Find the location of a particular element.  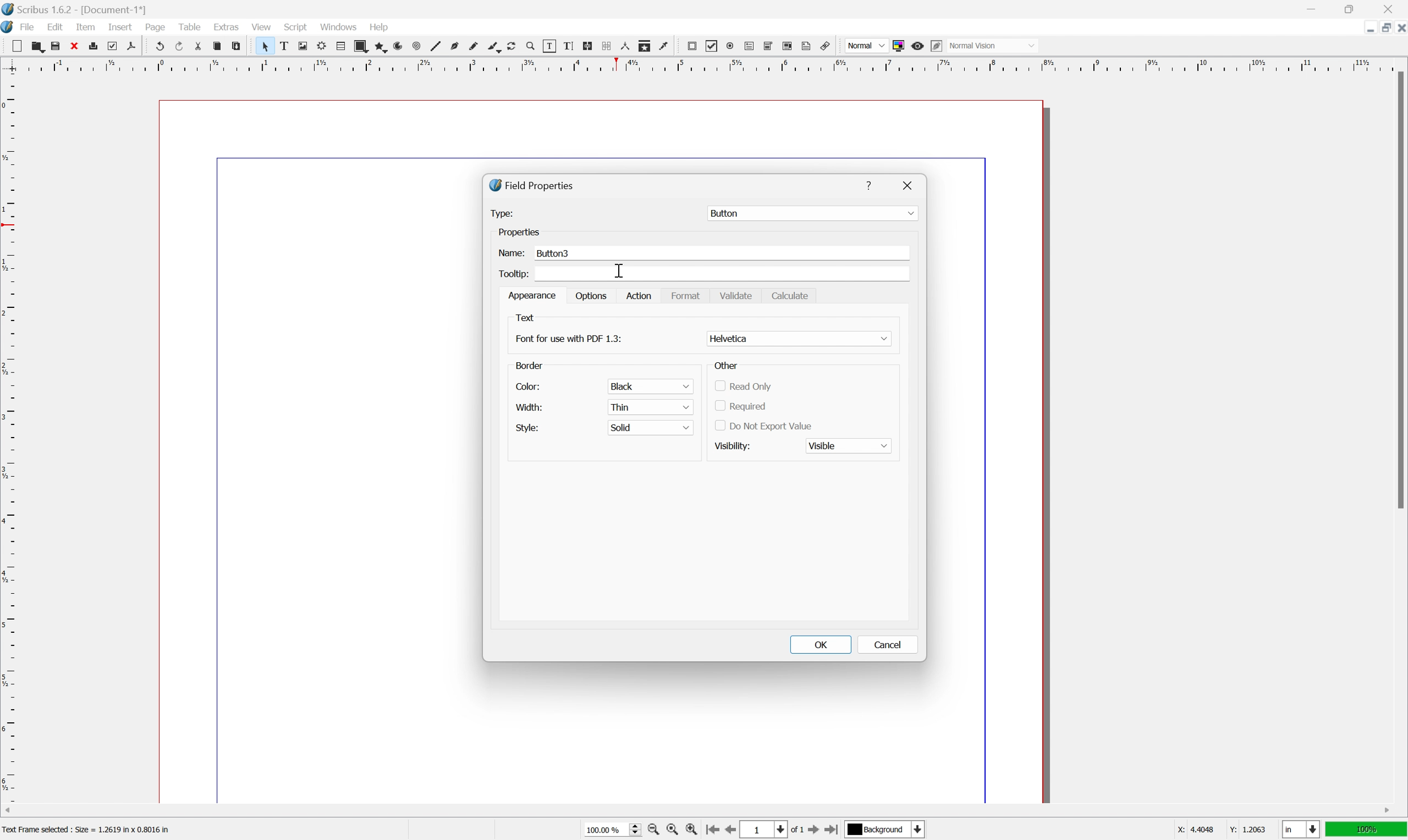

go to next page is located at coordinates (812, 830).